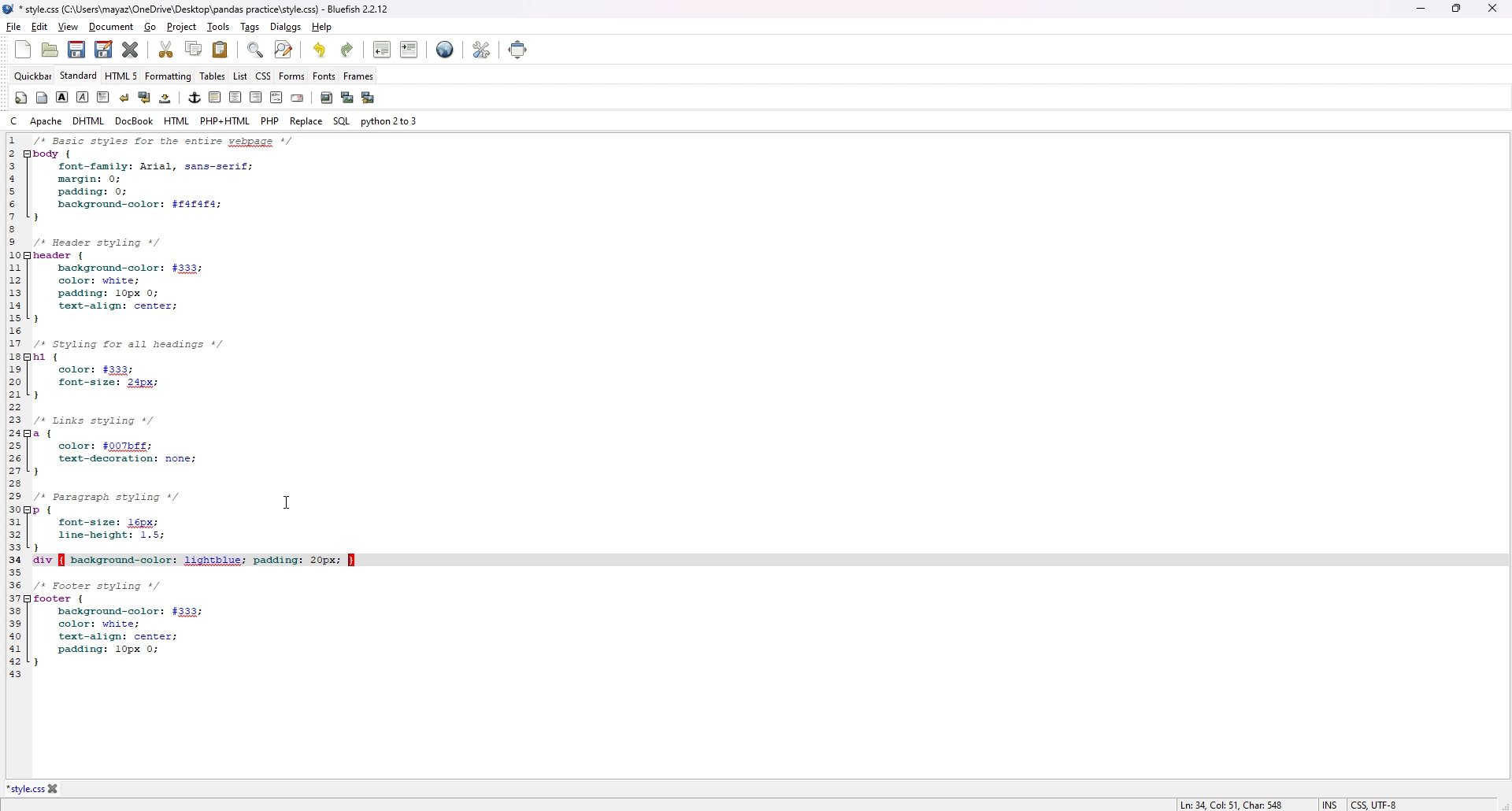  Describe the element at coordinates (409, 50) in the screenshot. I see `indent` at that location.